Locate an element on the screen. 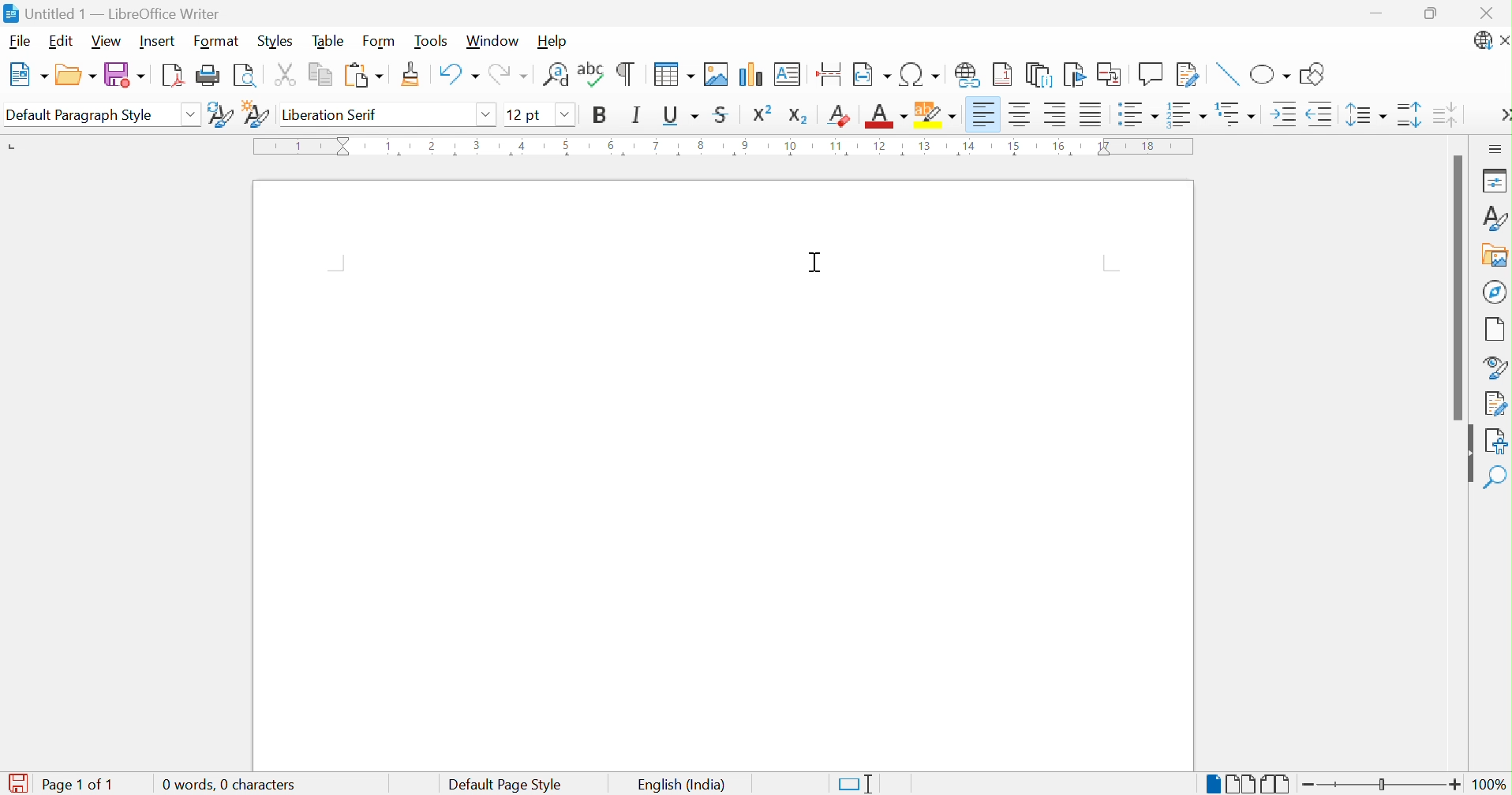 Image resolution: width=1512 pixels, height=795 pixels. Insert hyperlink is located at coordinates (967, 74).